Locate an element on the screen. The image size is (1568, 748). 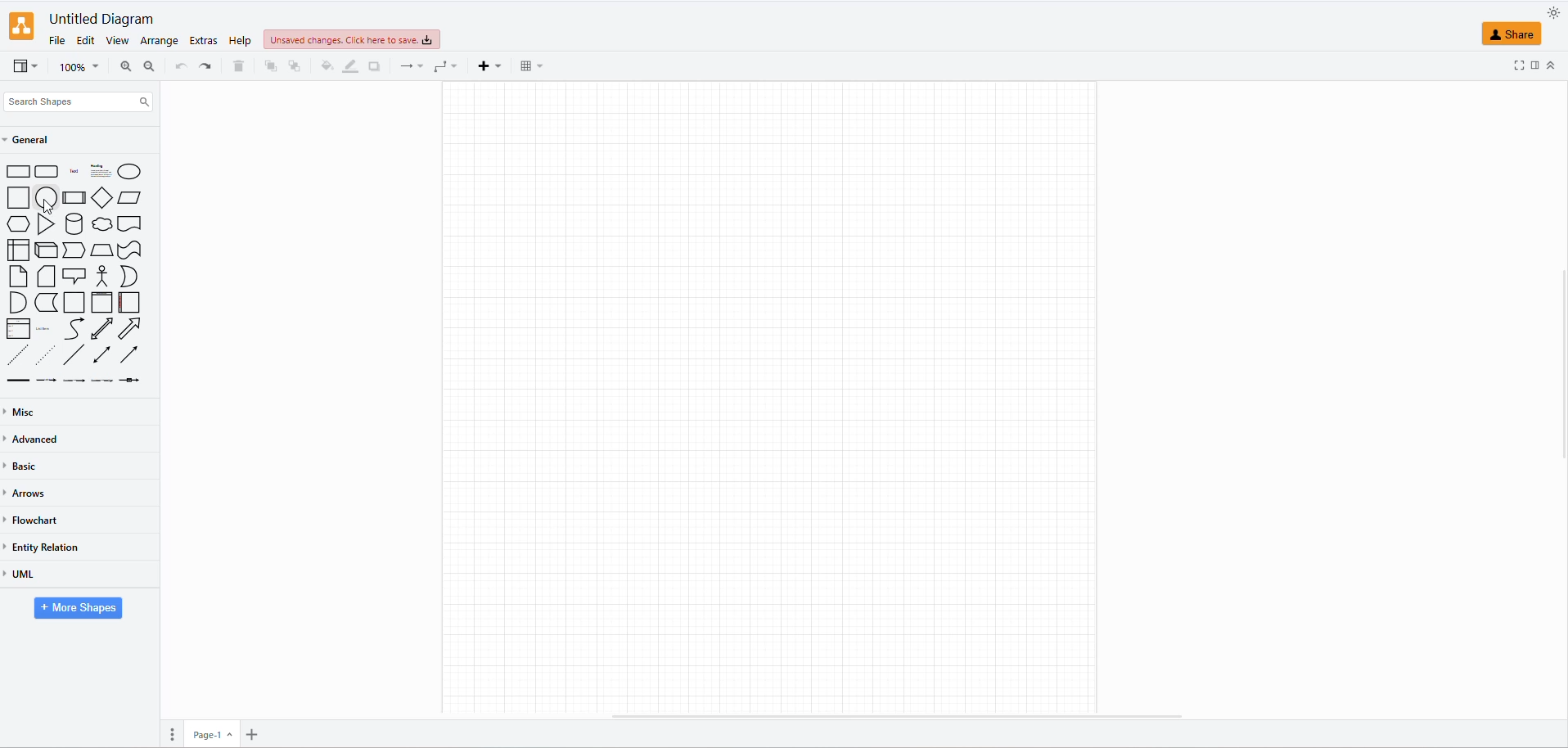
ACTOR is located at coordinates (103, 276).